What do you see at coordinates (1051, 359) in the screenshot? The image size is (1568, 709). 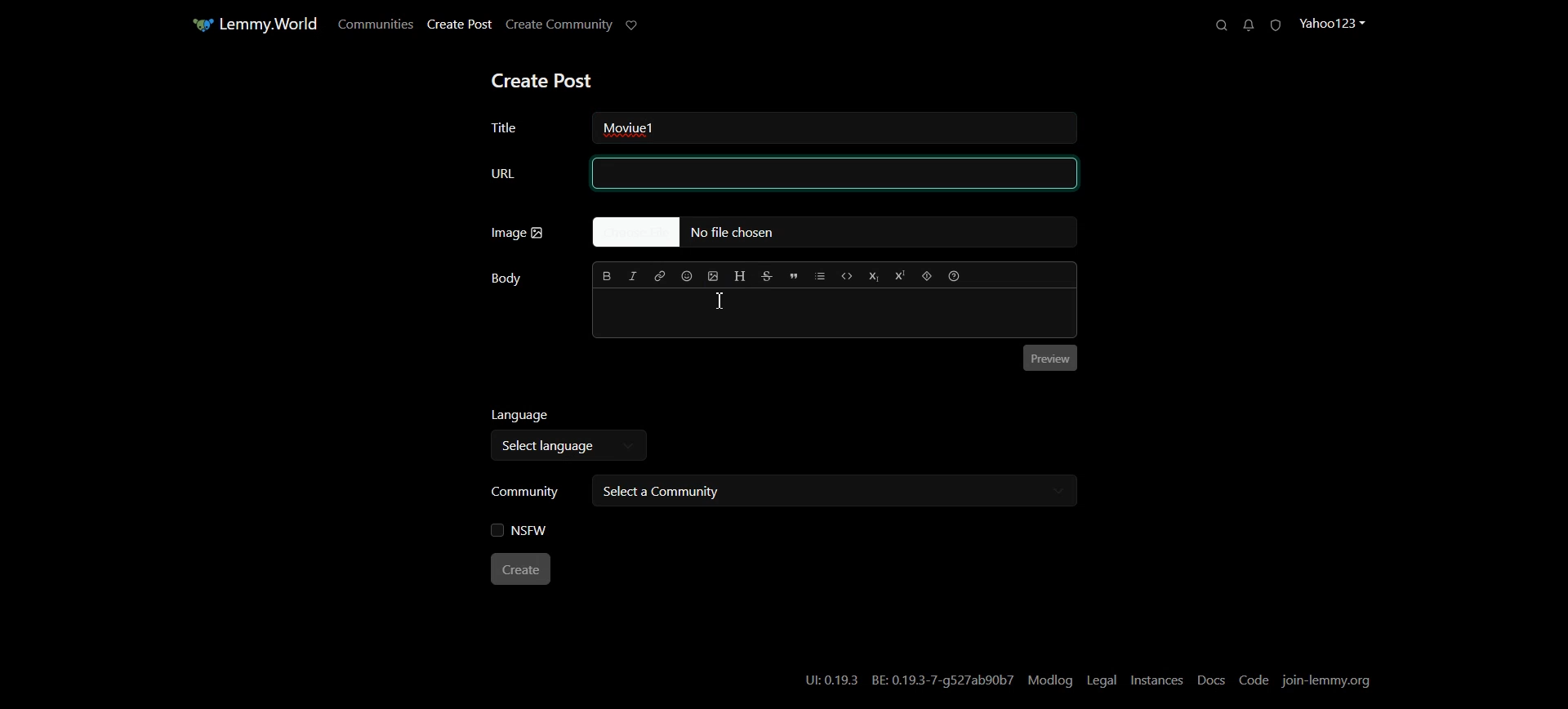 I see `Preview` at bounding box center [1051, 359].